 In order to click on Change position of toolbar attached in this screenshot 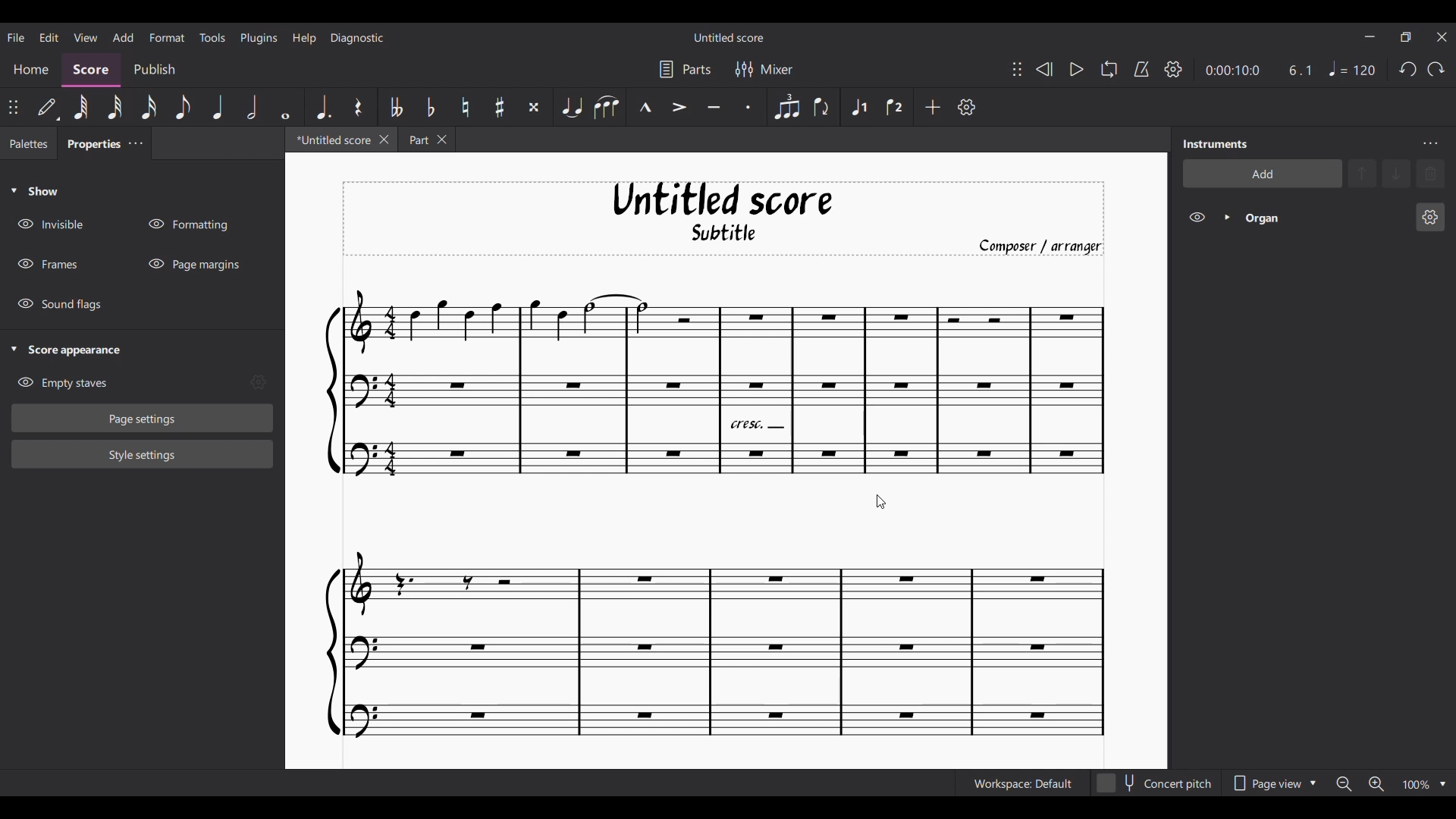, I will do `click(1017, 70)`.